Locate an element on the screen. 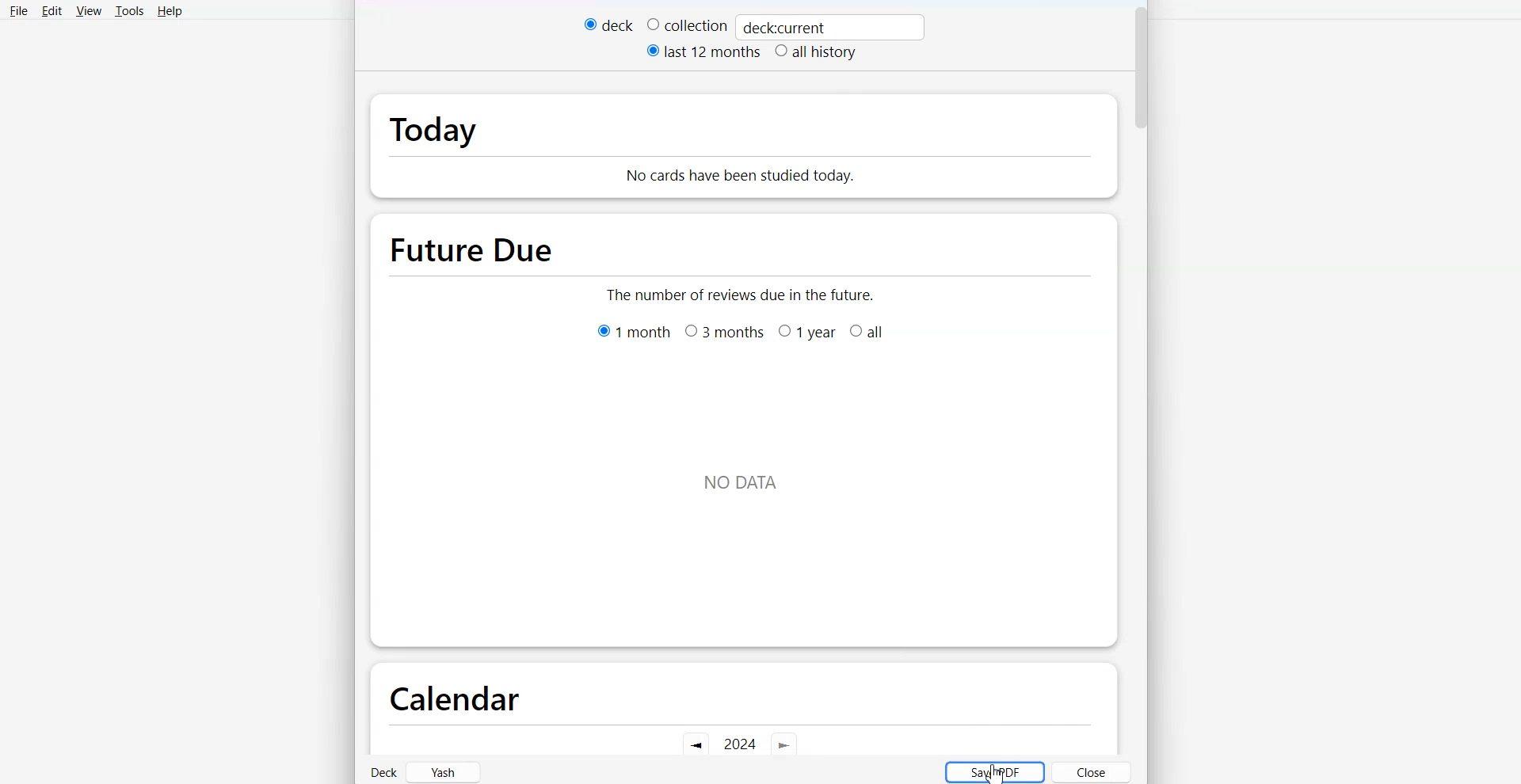  3 Months is located at coordinates (723, 332).